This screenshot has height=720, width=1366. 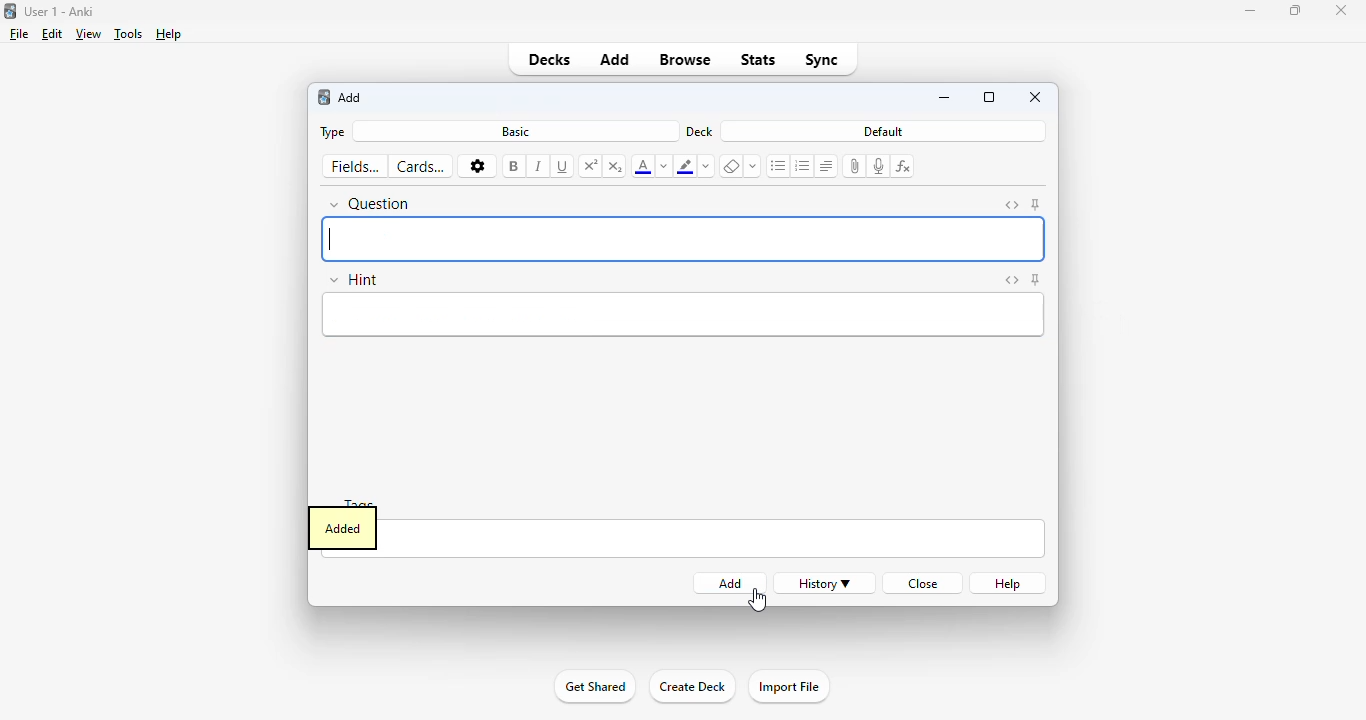 What do you see at coordinates (989, 96) in the screenshot?
I see `maximize` at bounding box center [989, 96].